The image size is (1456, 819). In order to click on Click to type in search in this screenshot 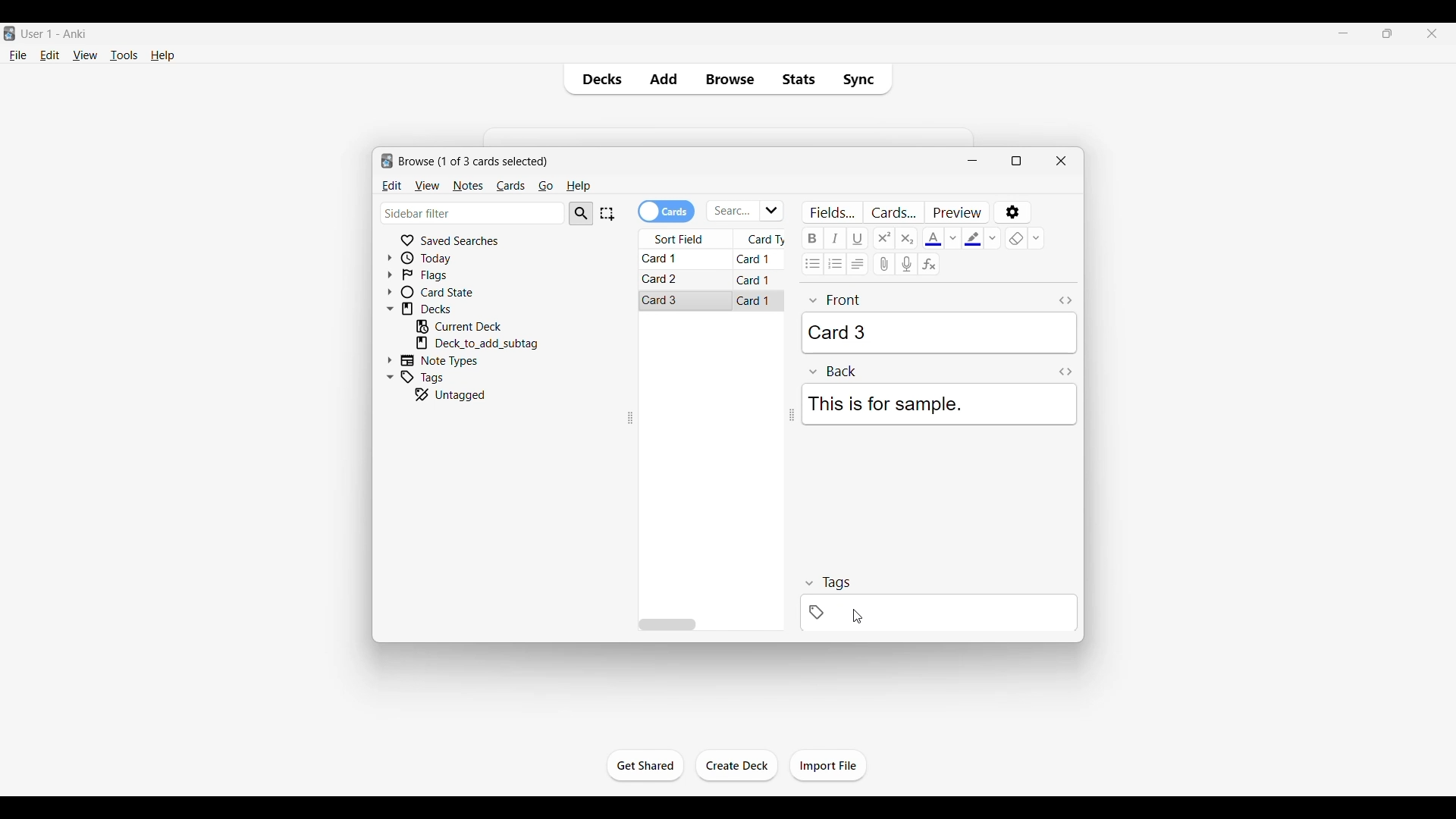, I will do `click(474, 212)`.